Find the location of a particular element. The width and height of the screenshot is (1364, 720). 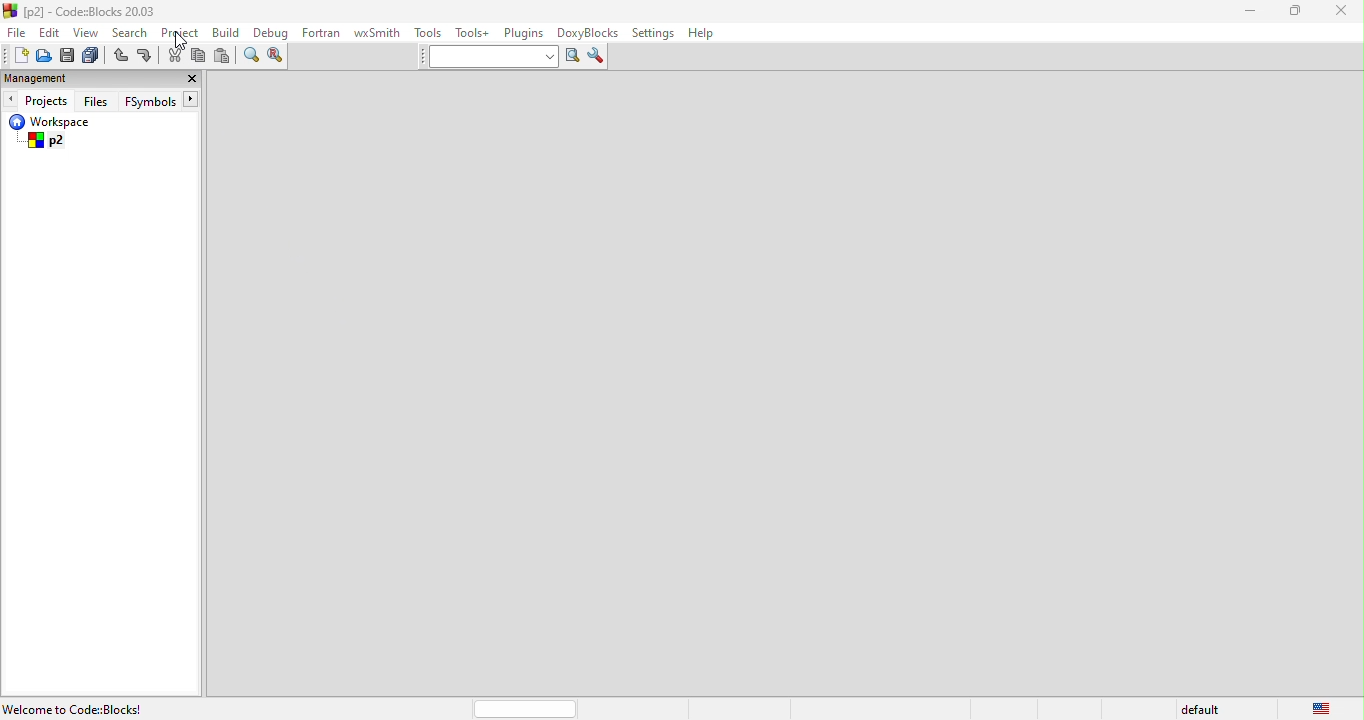

replace is located at coordinates (279, 56).